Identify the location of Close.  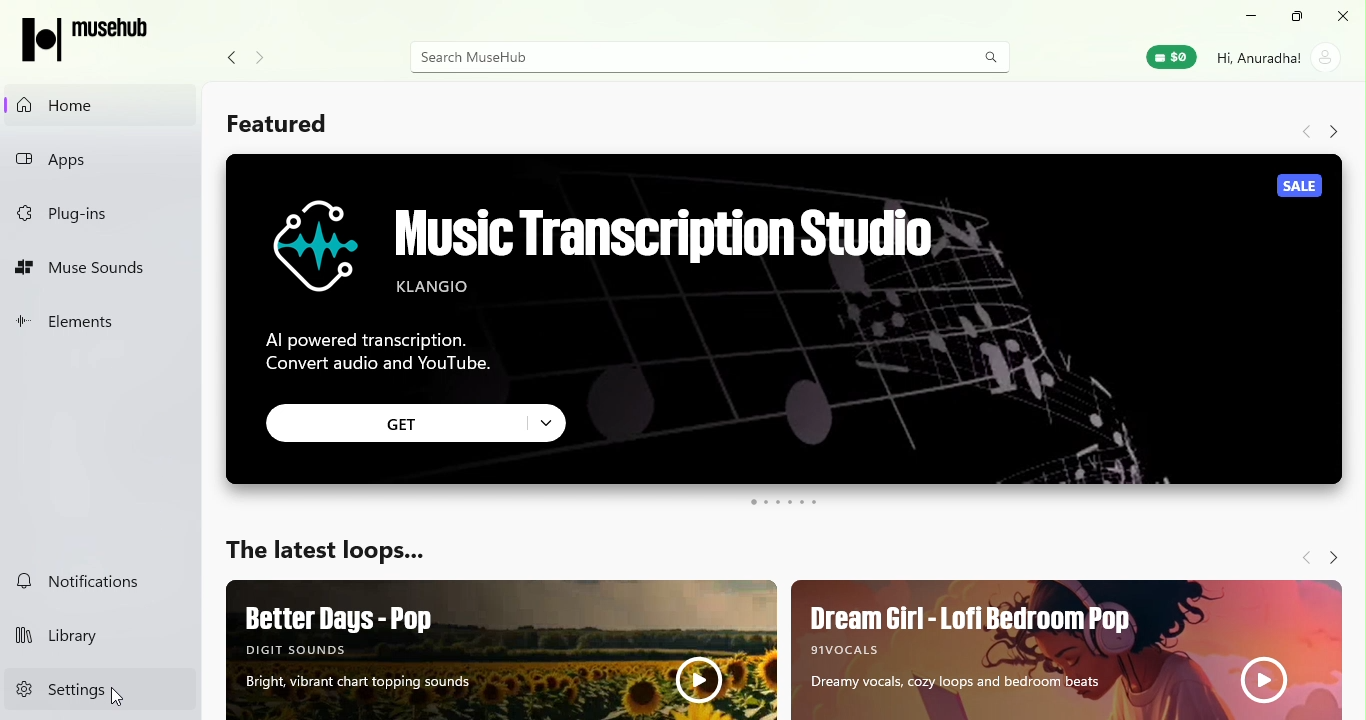
(1346, 19).